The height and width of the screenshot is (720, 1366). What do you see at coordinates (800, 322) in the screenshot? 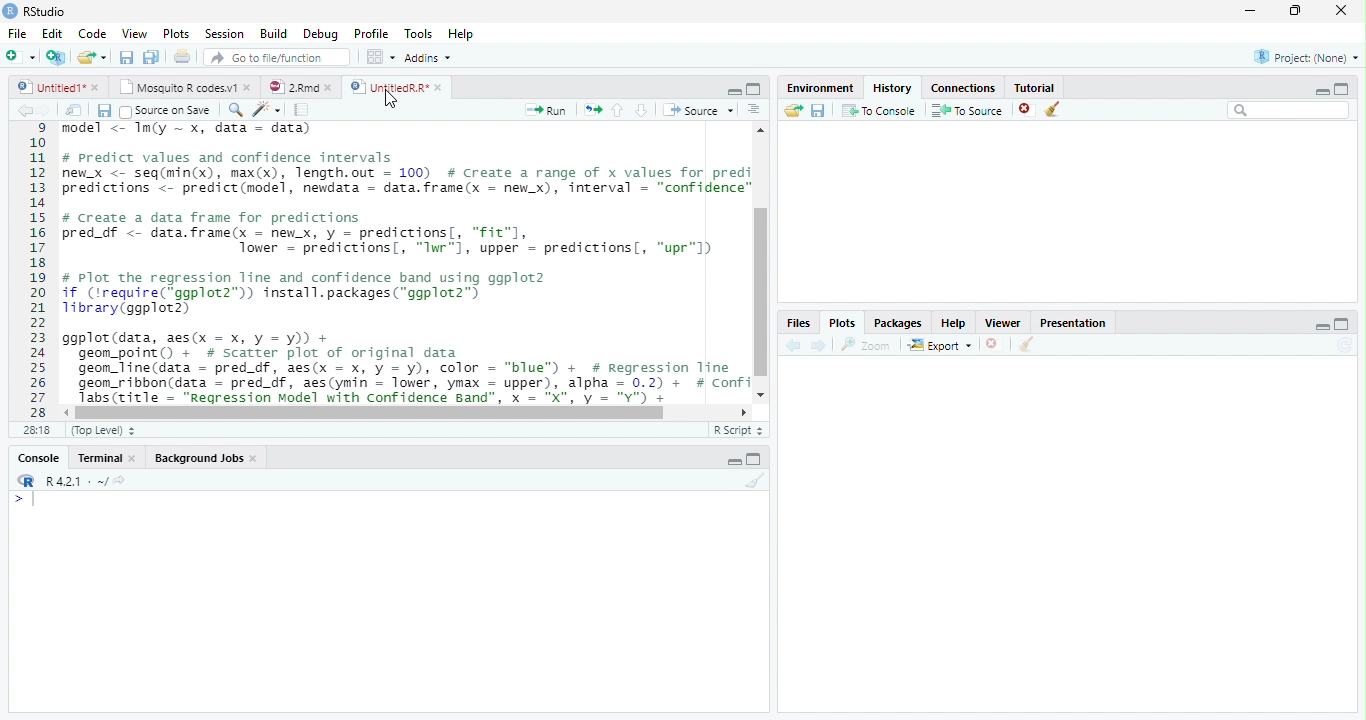
I see `Files` at bounding box center [800, 322].